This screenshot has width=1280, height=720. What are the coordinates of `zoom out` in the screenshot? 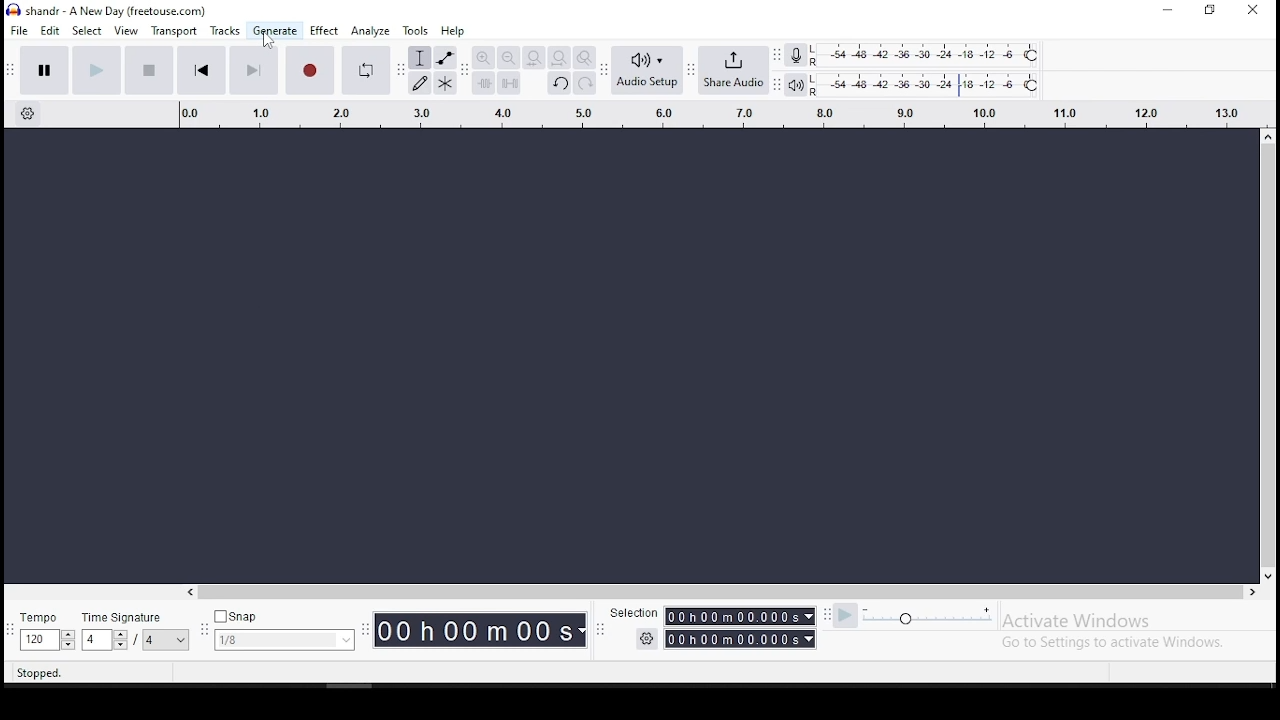 It's located at (508, 58).